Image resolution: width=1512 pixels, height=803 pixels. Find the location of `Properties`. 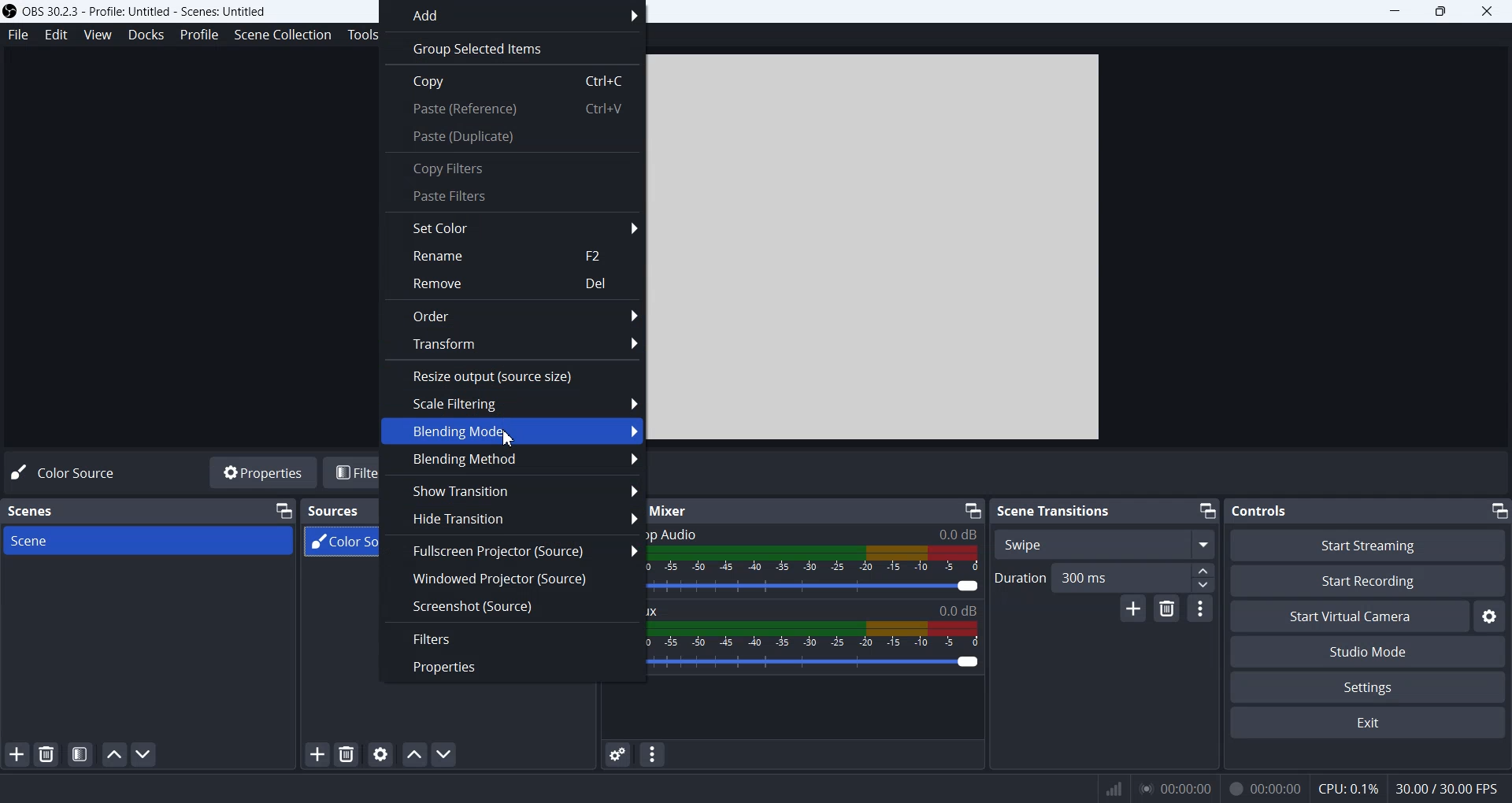

Properties is located at coordinates (262, 473).